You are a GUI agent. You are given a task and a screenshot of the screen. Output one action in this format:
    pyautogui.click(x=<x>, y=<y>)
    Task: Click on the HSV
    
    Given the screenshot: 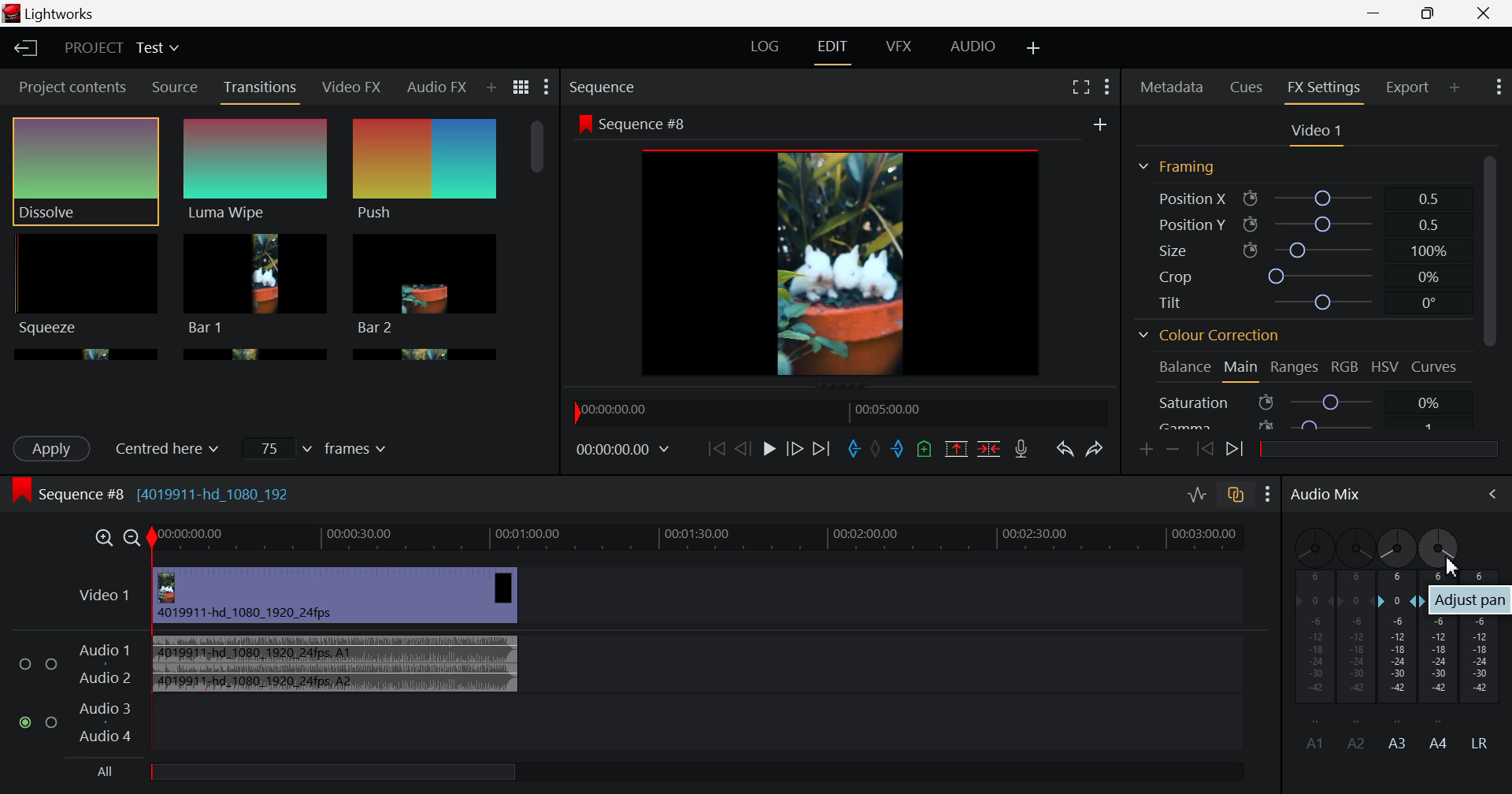 What is the action you would take?
    pyautogui.click(x=1385, y=369)
    